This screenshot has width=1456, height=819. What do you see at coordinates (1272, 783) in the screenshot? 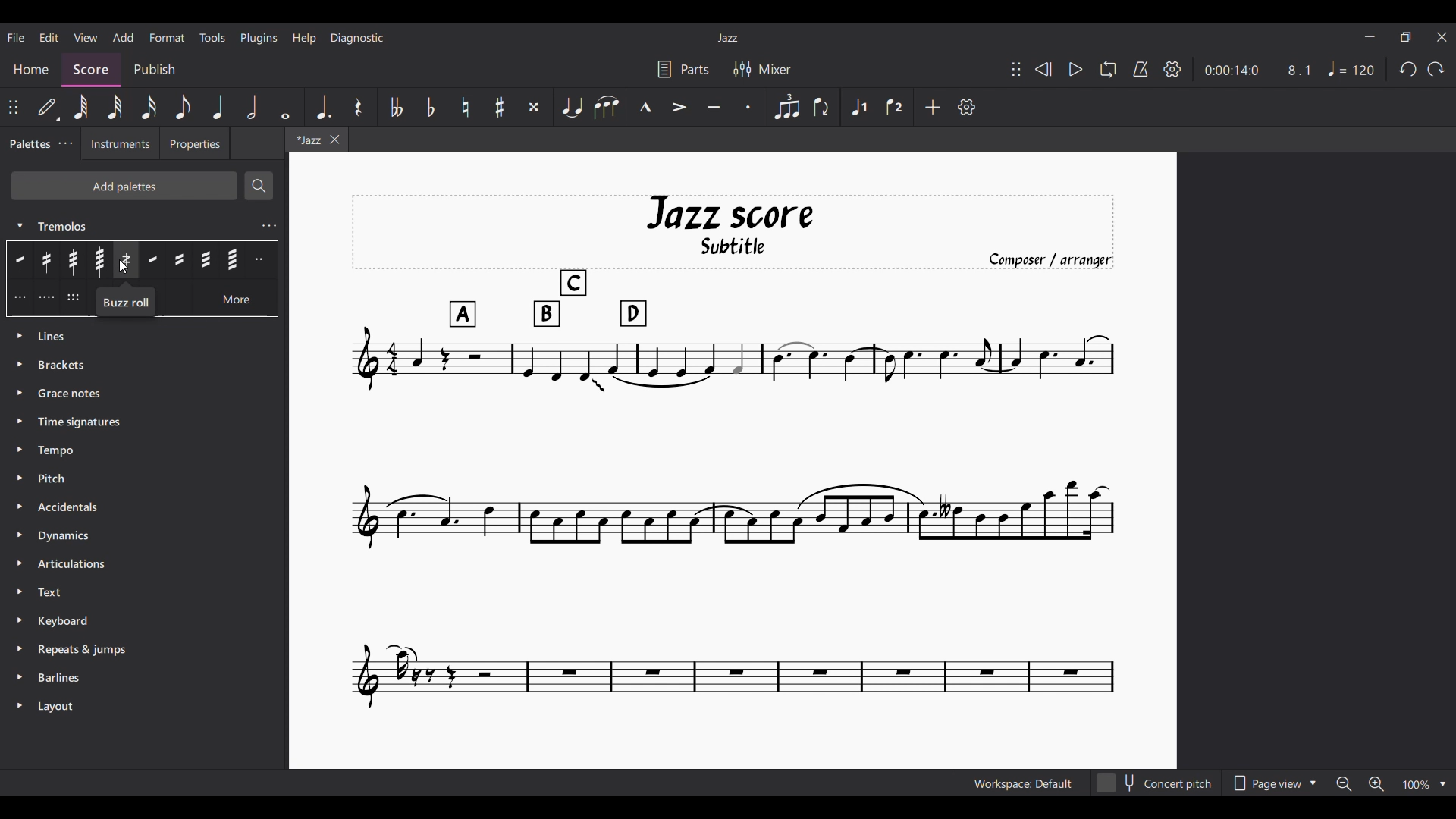
I see `Page view` at bounding box center [1272, 783].